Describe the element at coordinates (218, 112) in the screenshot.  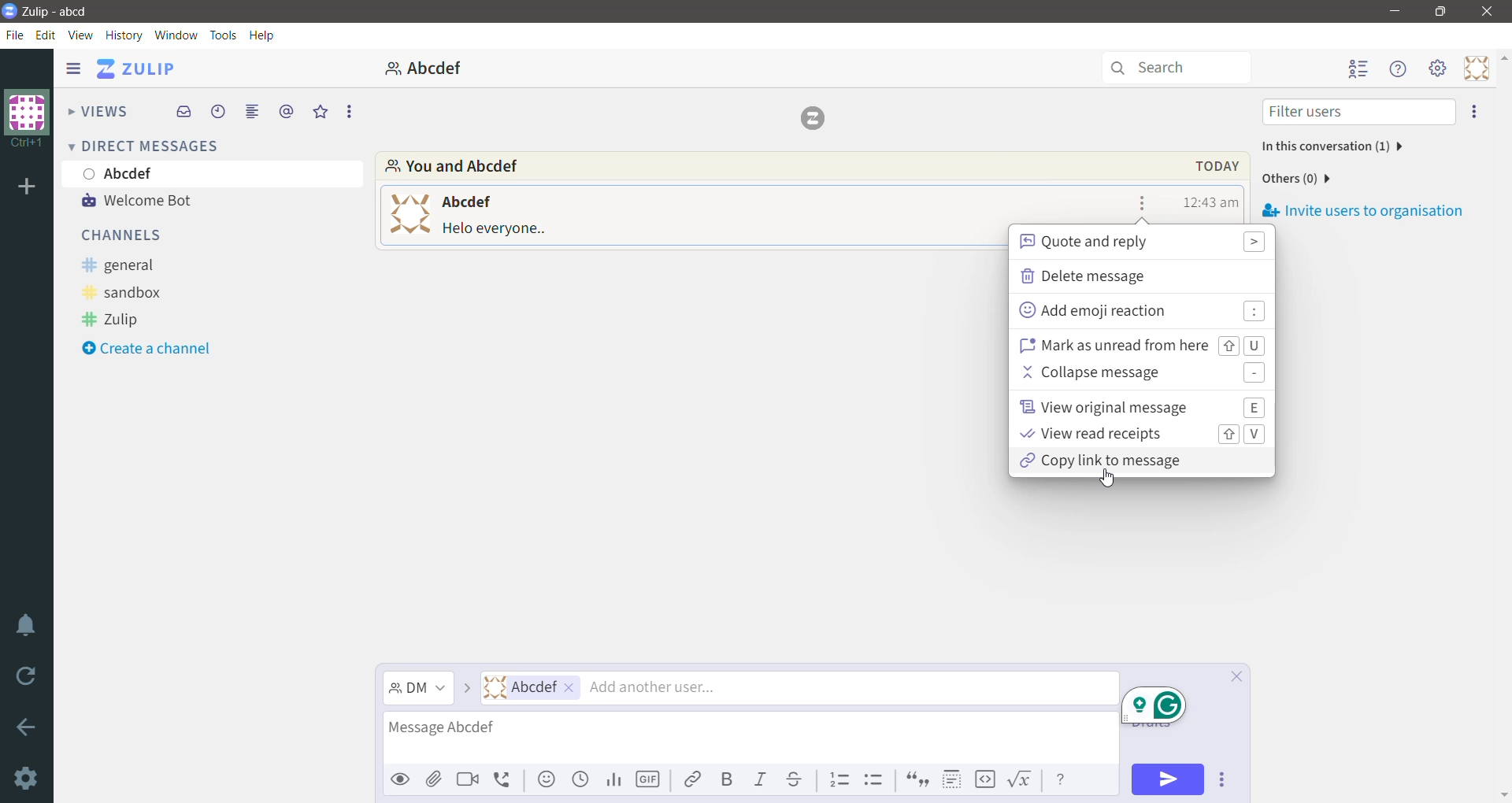
I see `Recent Conversations` at that location.